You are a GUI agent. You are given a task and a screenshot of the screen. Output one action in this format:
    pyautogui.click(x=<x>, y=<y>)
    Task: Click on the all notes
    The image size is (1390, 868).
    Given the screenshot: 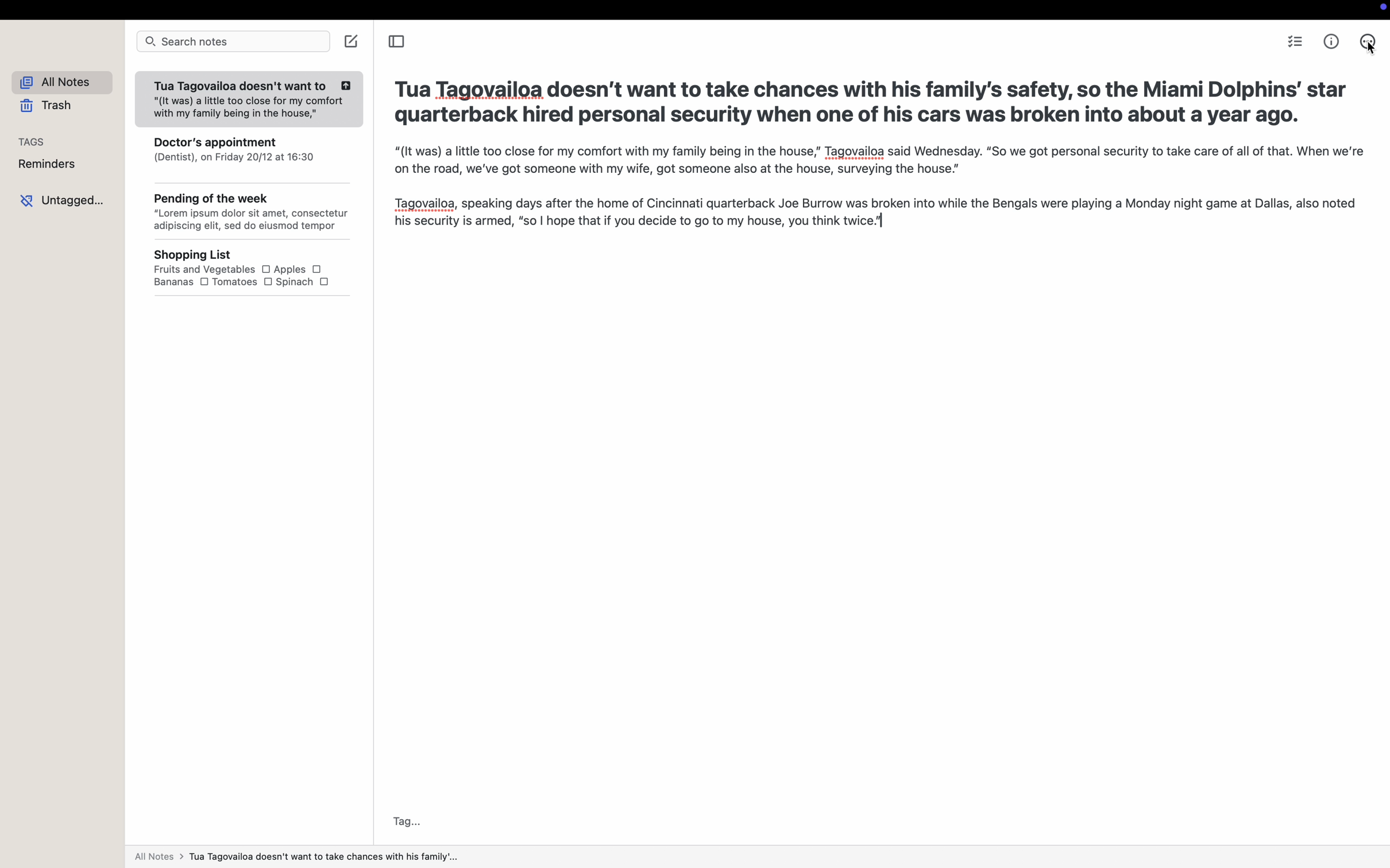 What is the action you would take?
    pyautogui.click(x=57, y=80)
    